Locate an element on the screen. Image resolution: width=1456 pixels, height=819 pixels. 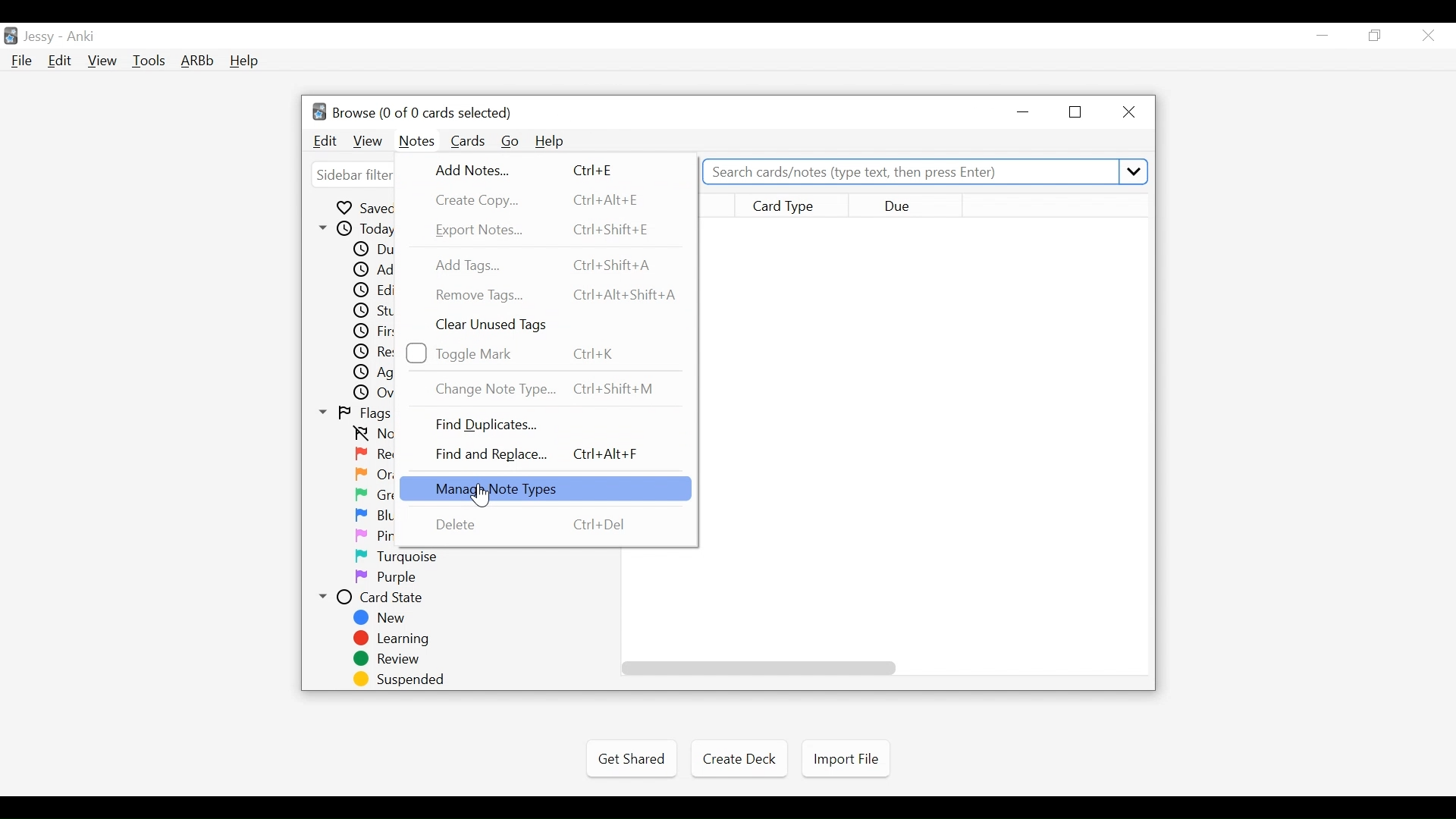
Pink is located at coordinates (372, 535).